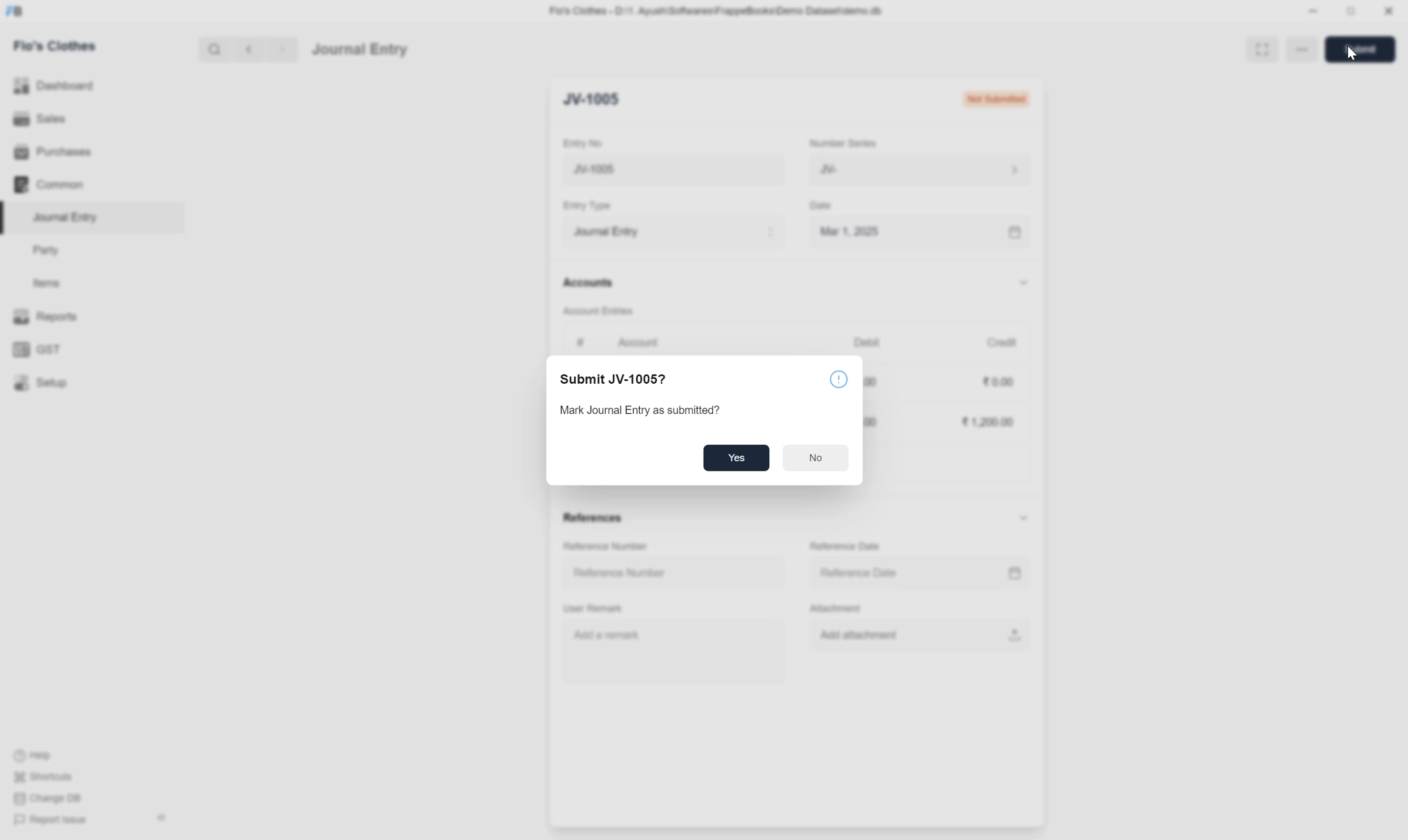 Image resolution: width=1408 pixels, height=840 pixels. I want to click on enlarge, so click(1261, 48).